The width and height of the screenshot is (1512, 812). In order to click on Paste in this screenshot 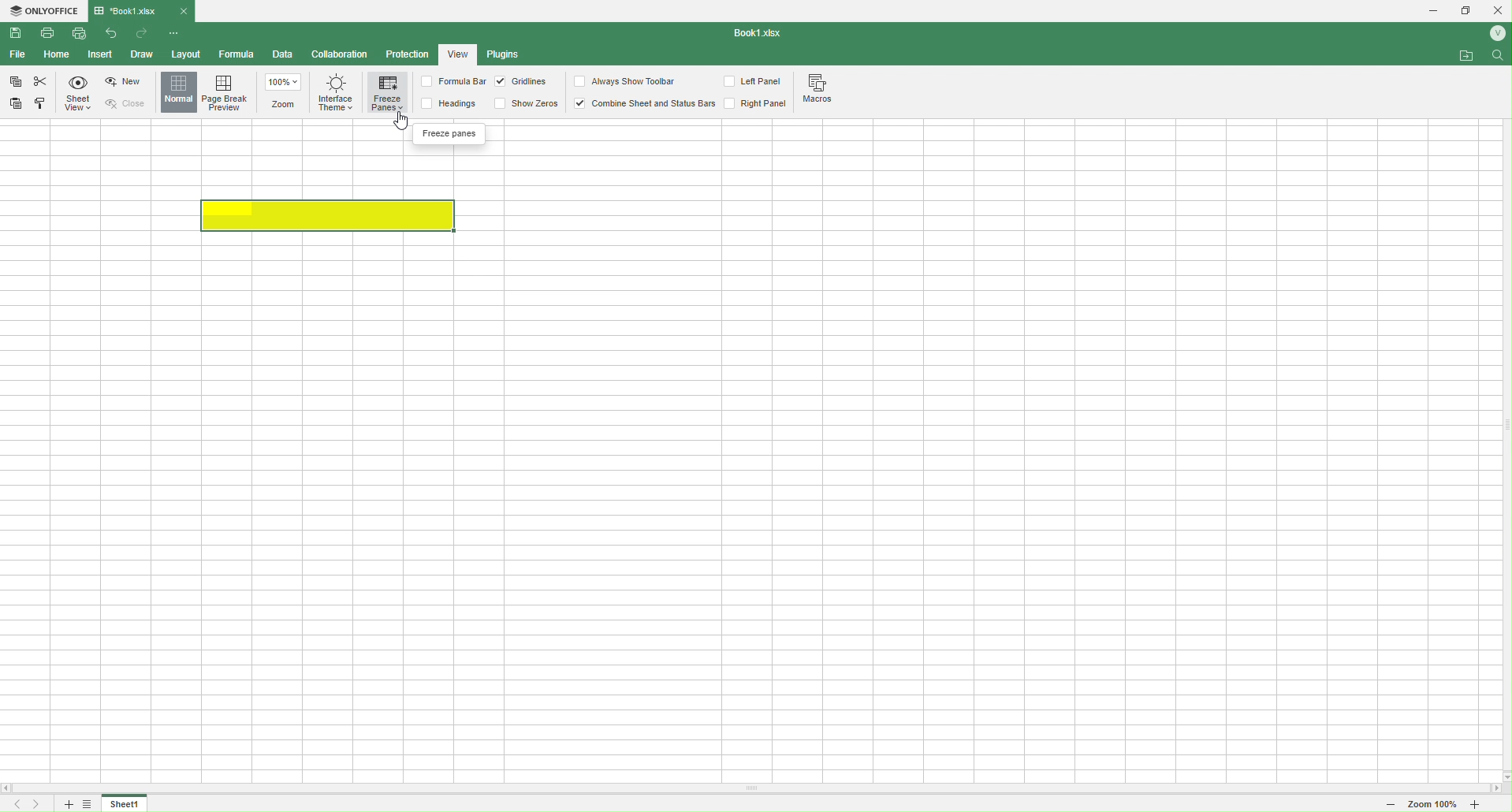, I will do `click(18, 102)`.